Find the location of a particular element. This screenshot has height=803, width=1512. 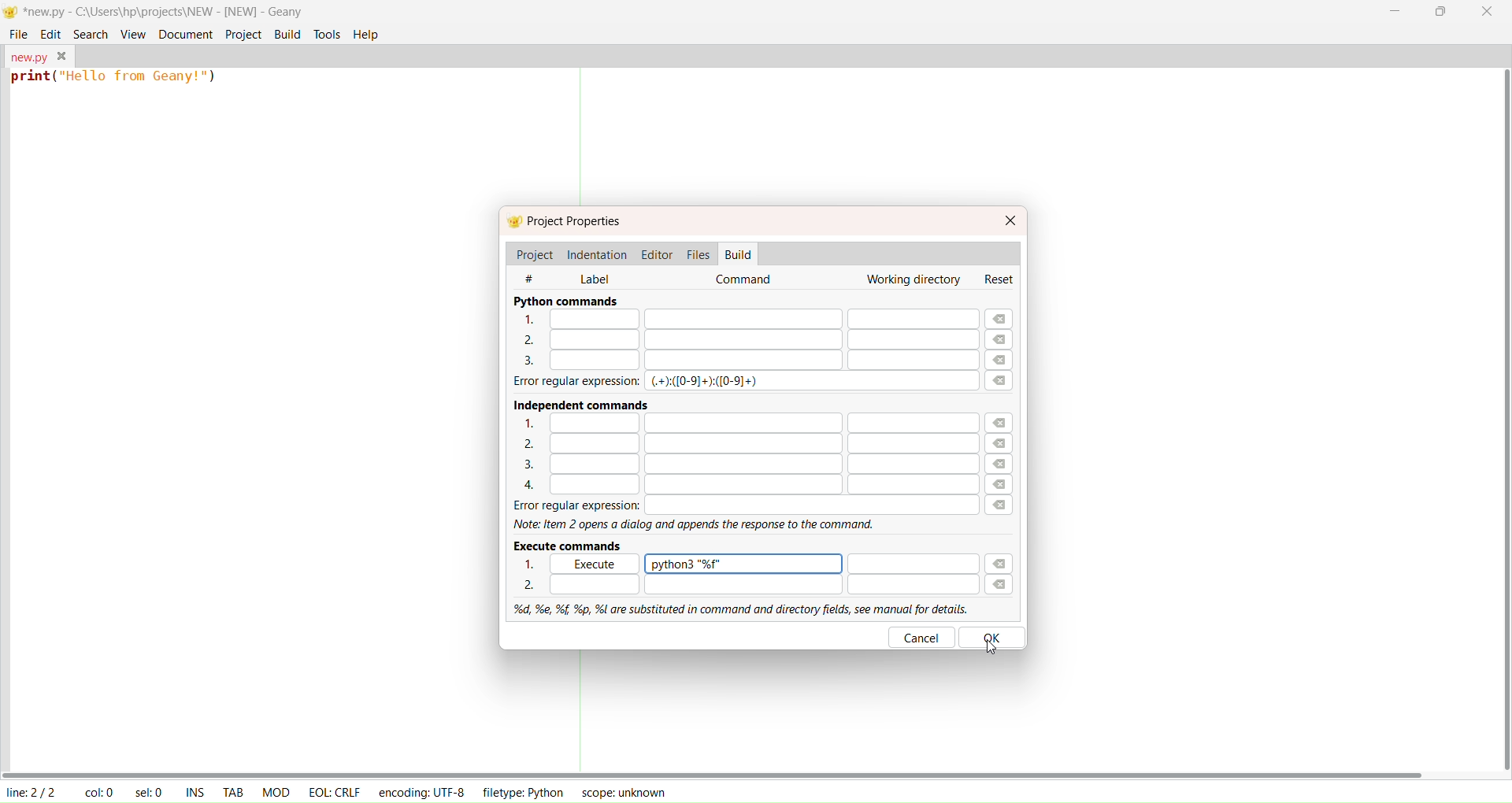

| %d, %e, %f %p, %! are substituted in command and directory fields, see manual for details. is located at coordinates (736, 607).